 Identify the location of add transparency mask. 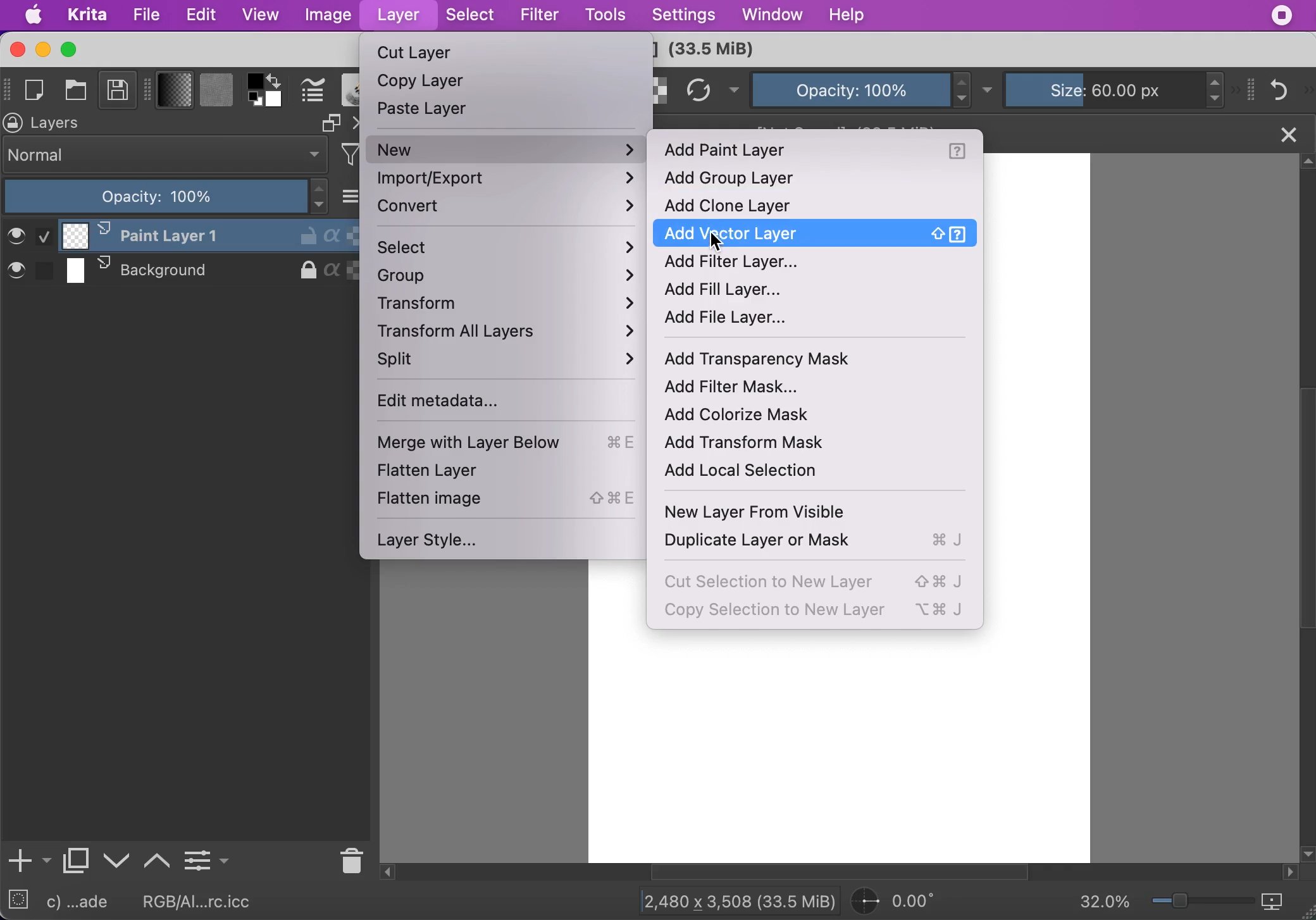
(800, 360).